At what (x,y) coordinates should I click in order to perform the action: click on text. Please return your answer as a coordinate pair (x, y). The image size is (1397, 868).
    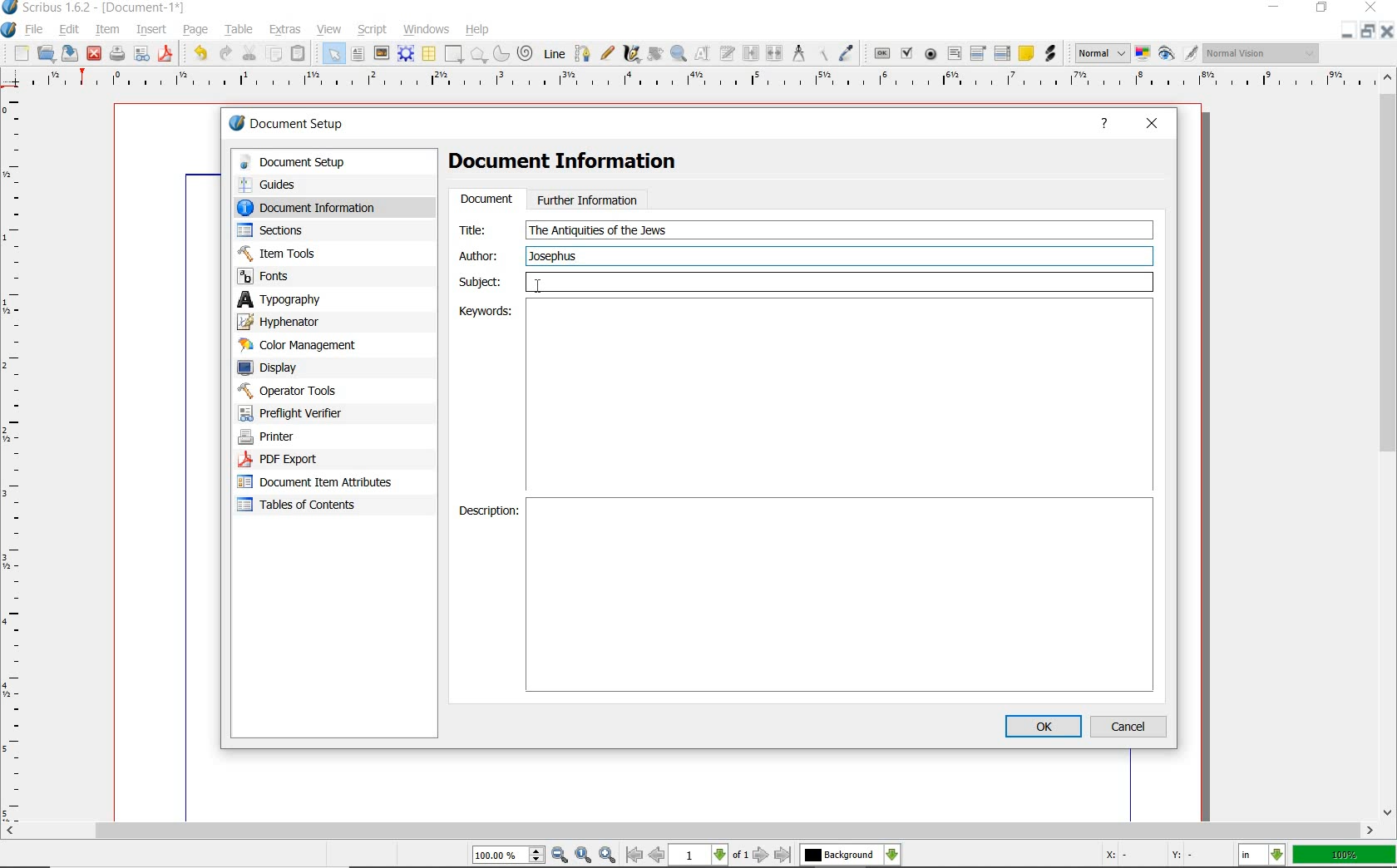
    Looking at the image, I should click on (598, 230).